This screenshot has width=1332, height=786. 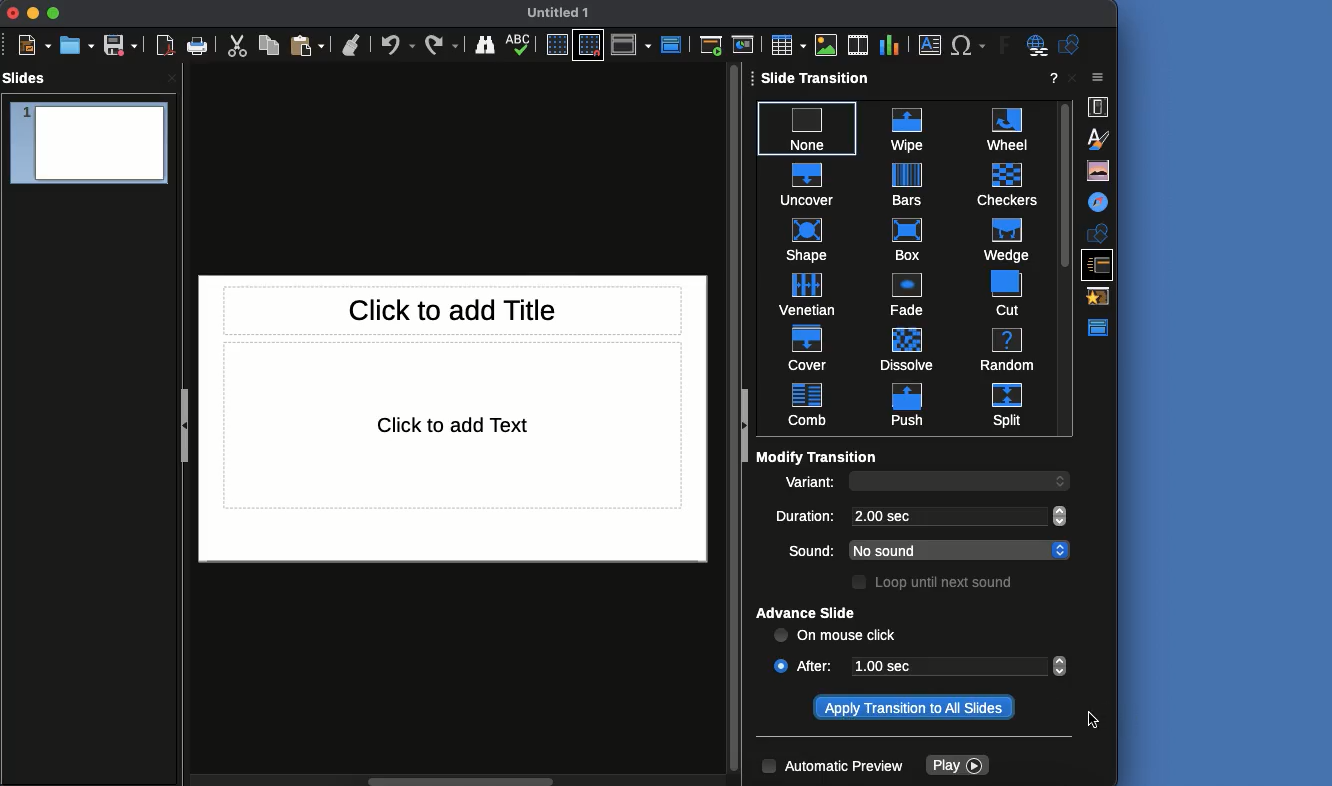 I want to click on 2.00 sec, so click(x=947, y=515).